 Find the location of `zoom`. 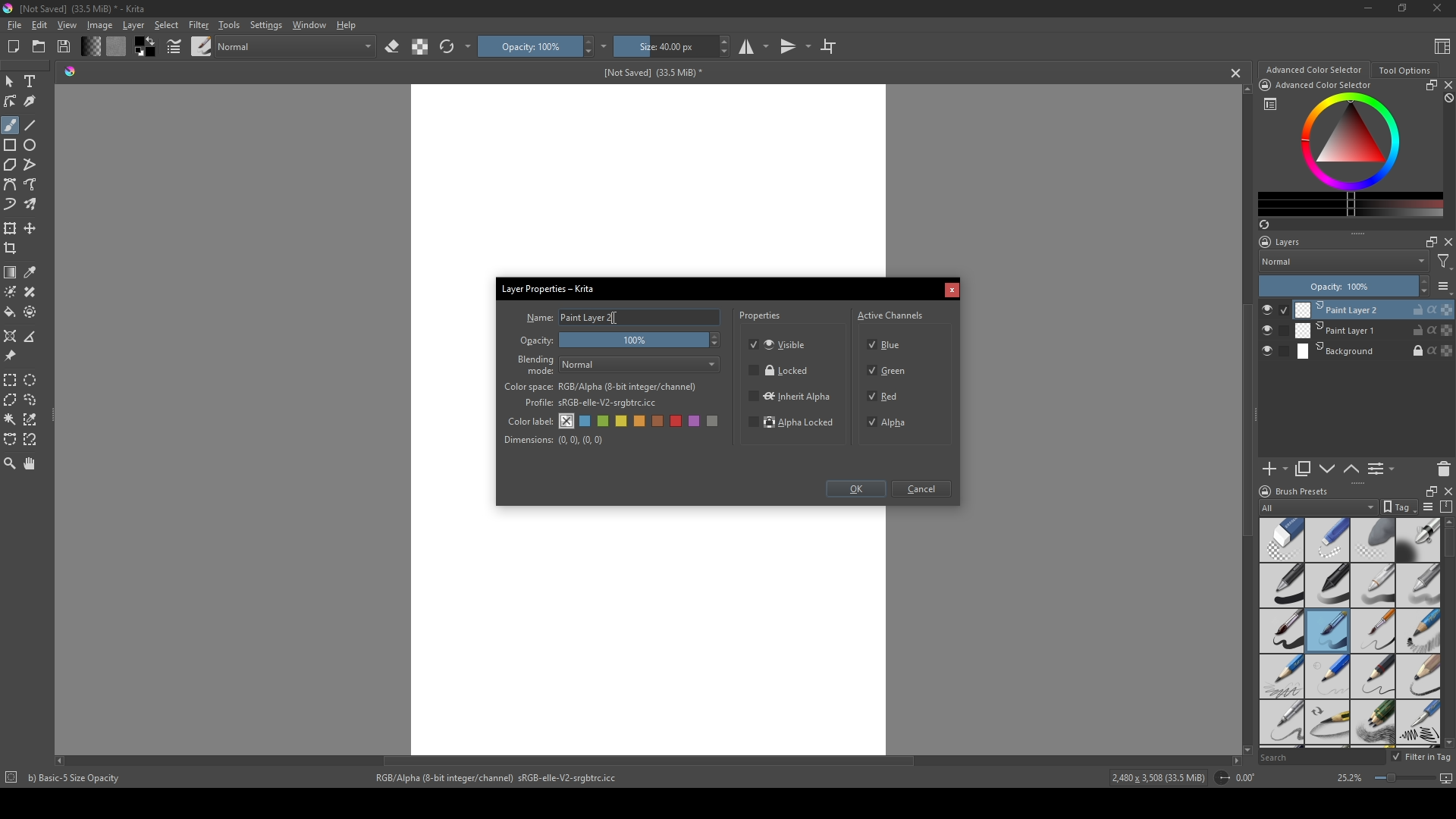

zoom is located at coordinates (10, 463).